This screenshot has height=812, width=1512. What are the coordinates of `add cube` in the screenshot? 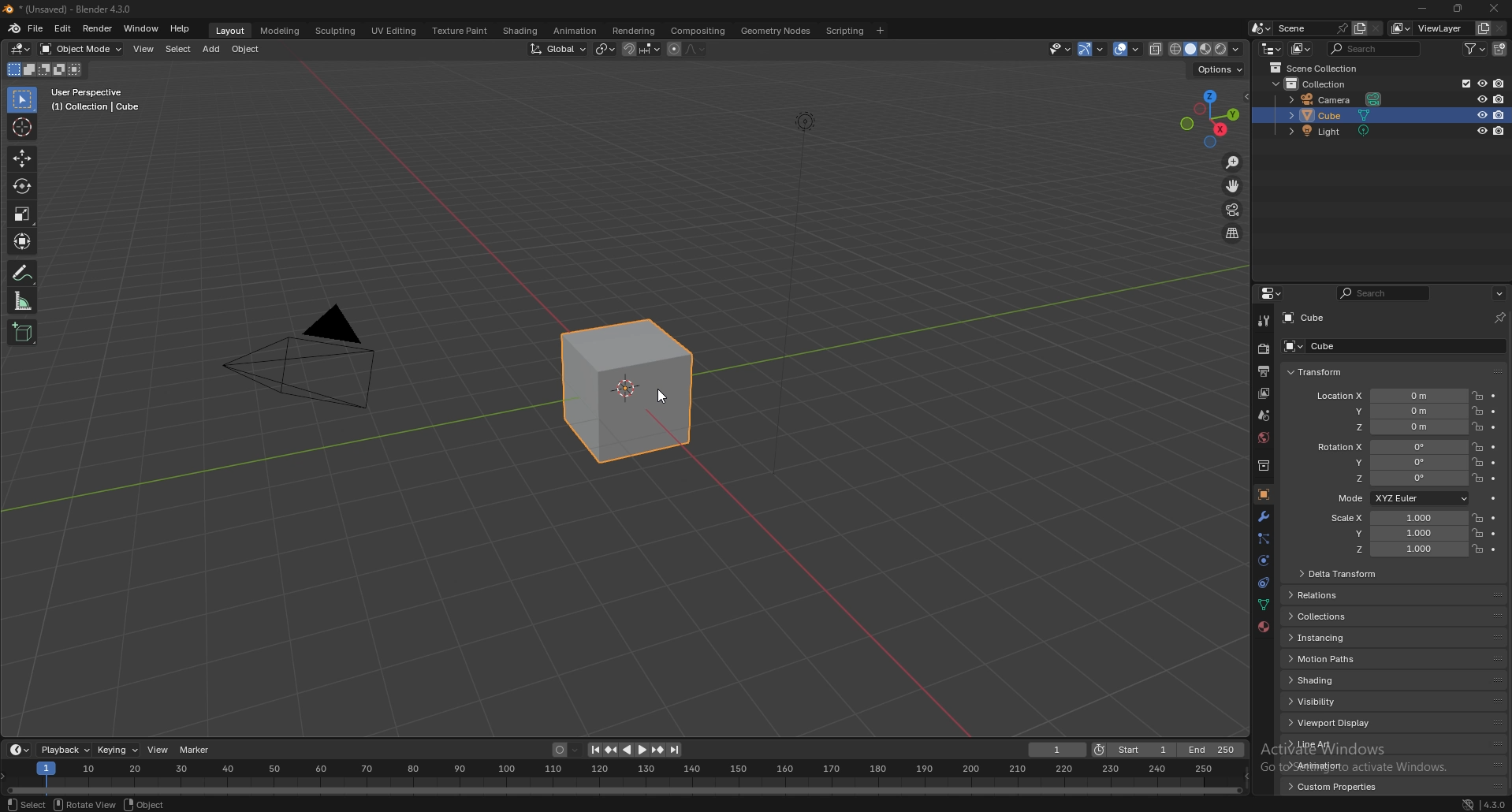 It's located at (21, 333).